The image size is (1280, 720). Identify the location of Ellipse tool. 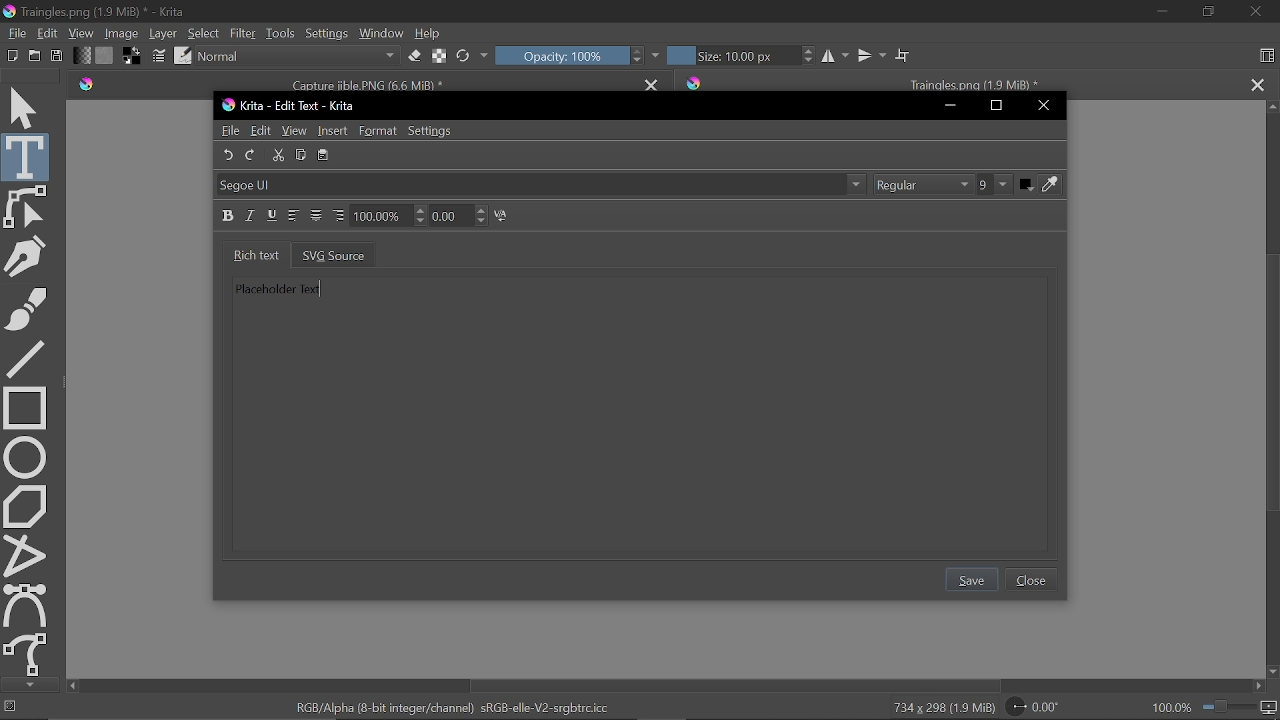
(28, 456).